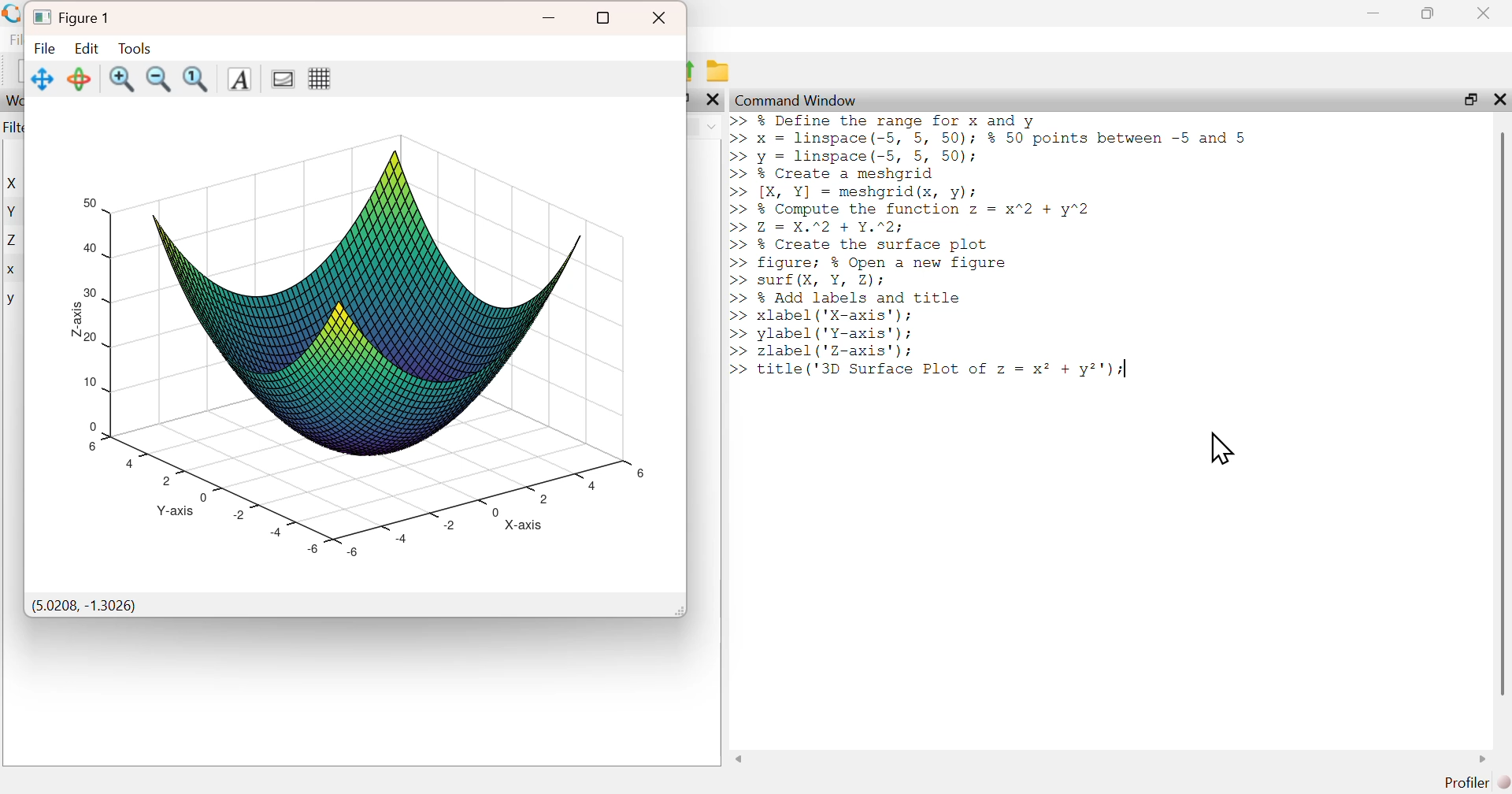 The height and width of the screenshot is (794, 1512). Describe the element at coordinates (13, 211) in the screenshot. I see `Y` at that location.